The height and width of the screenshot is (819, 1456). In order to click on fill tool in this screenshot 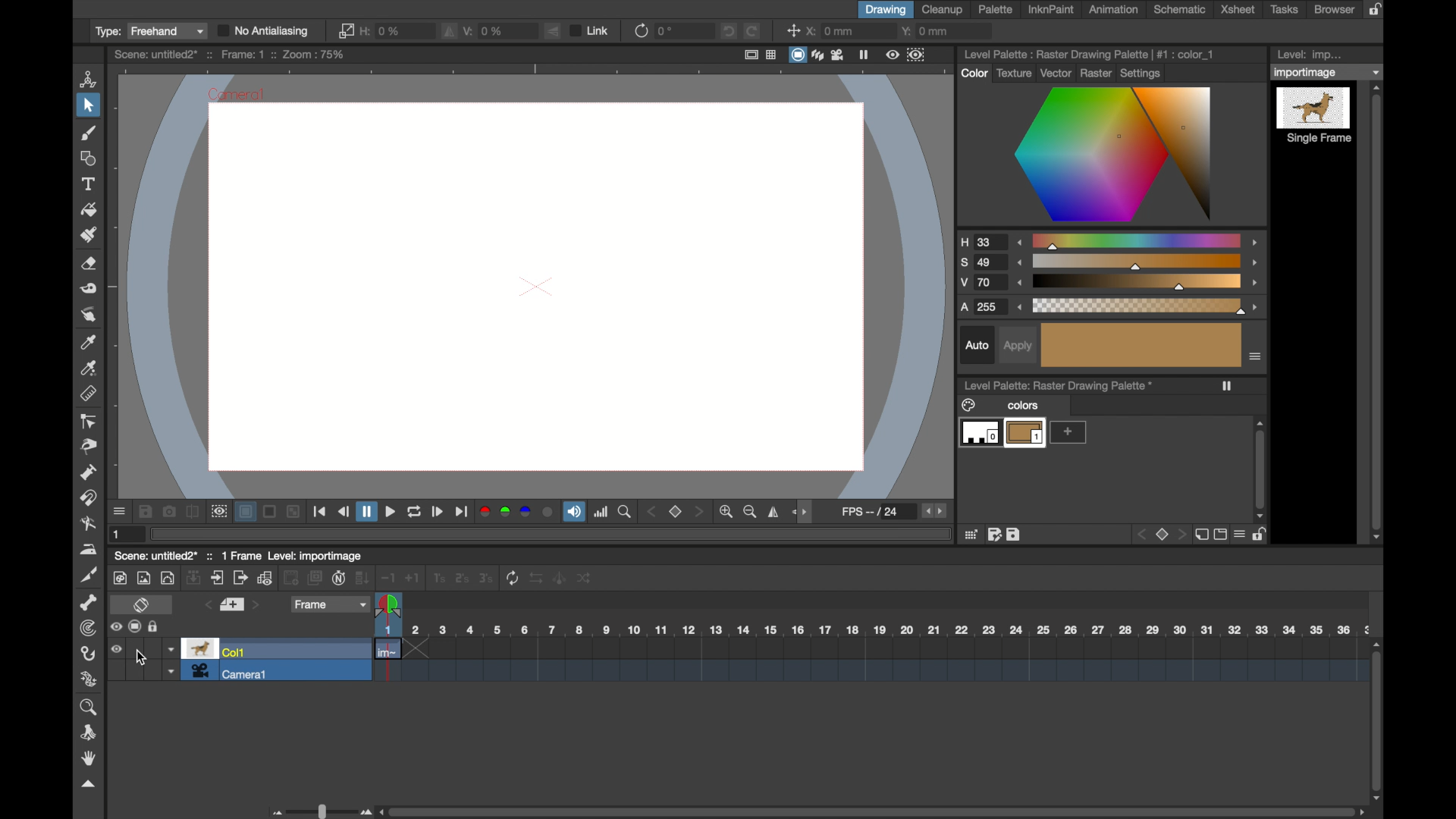, I will do `click(88, 209)`.